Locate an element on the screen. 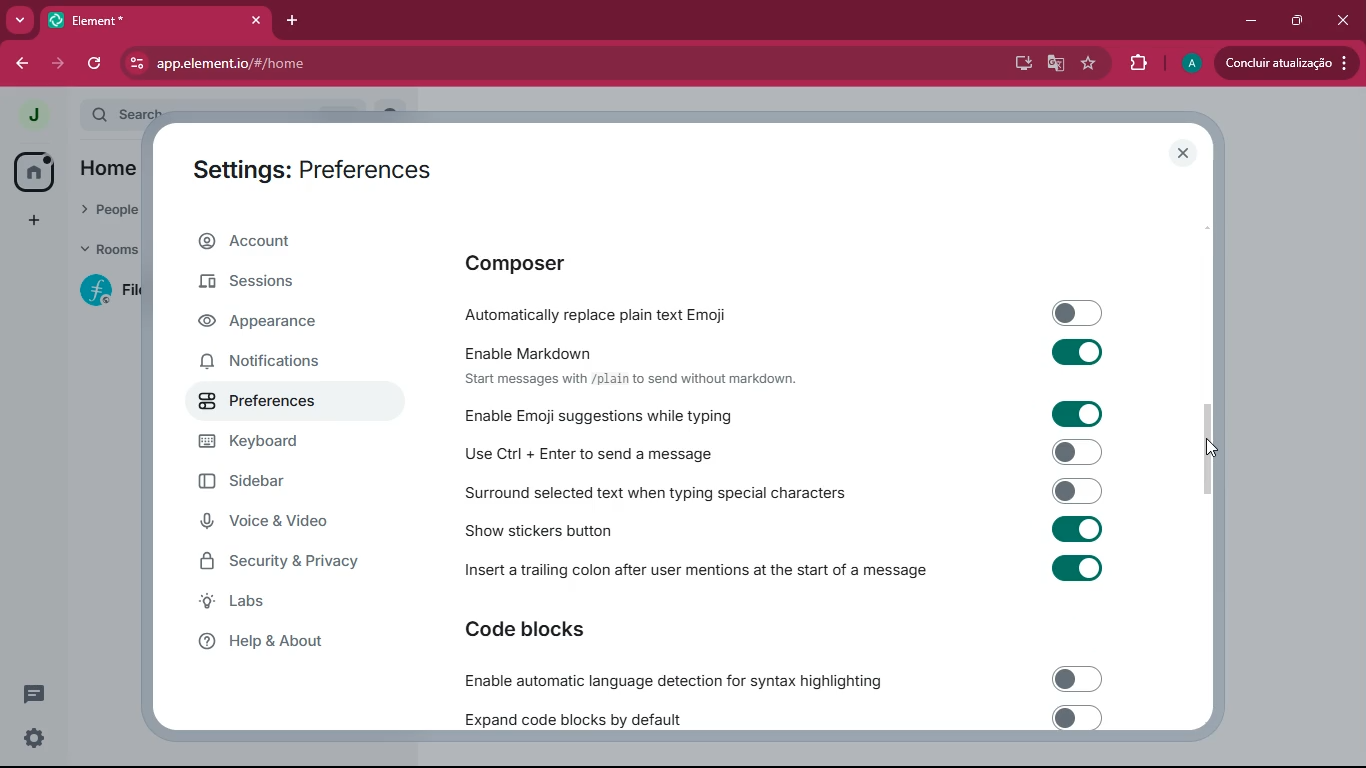  sidebar is located at coordinates (275, 483).